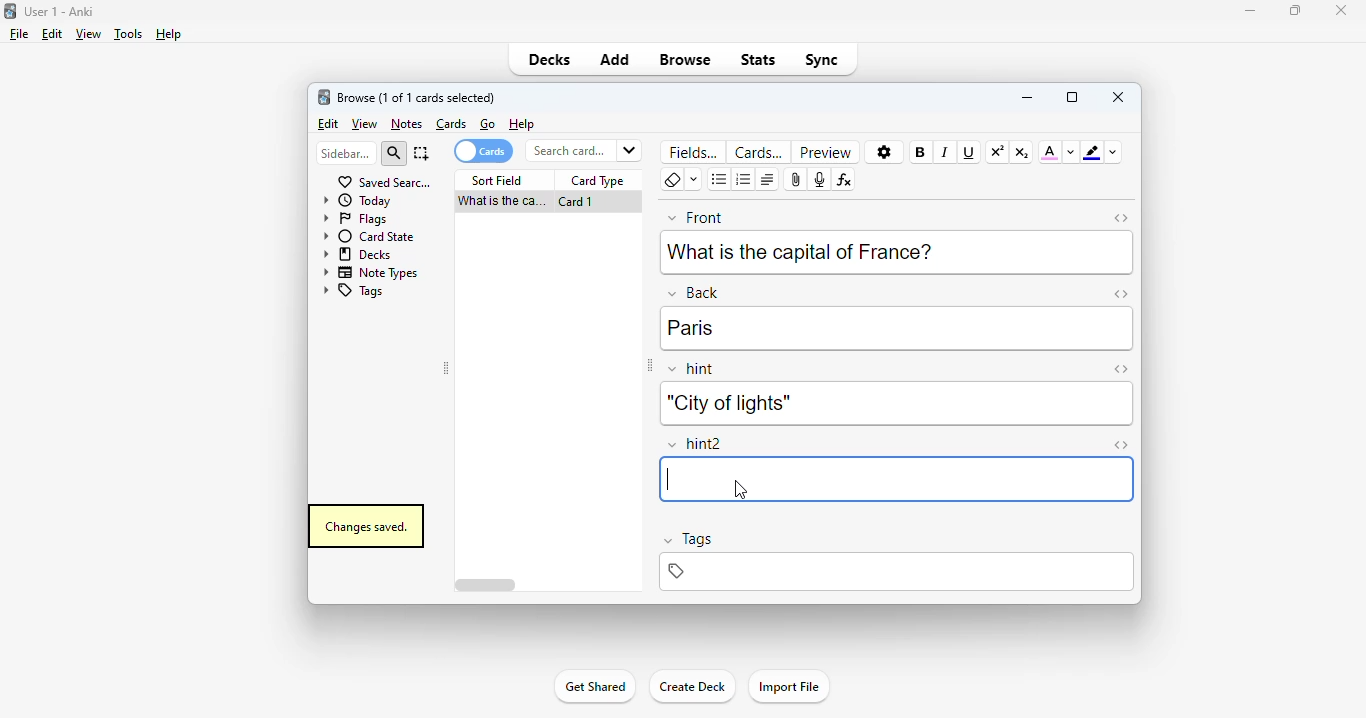  What do you see at coordinates (550, 59) in the screenshot?
I see `decks` at bounding box center [550, 59].